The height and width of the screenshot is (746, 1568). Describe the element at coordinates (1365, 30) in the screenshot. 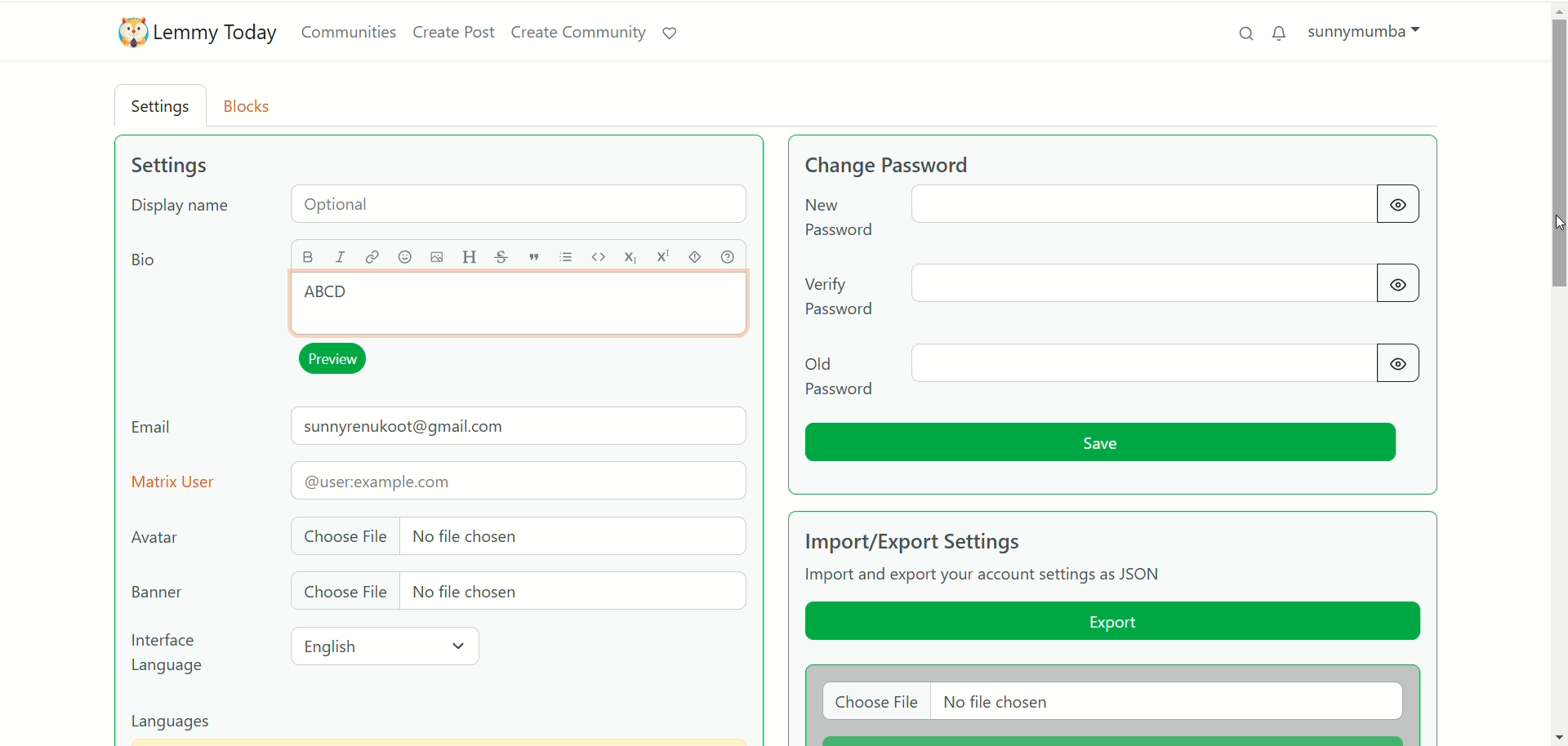

I see `account` at that location.